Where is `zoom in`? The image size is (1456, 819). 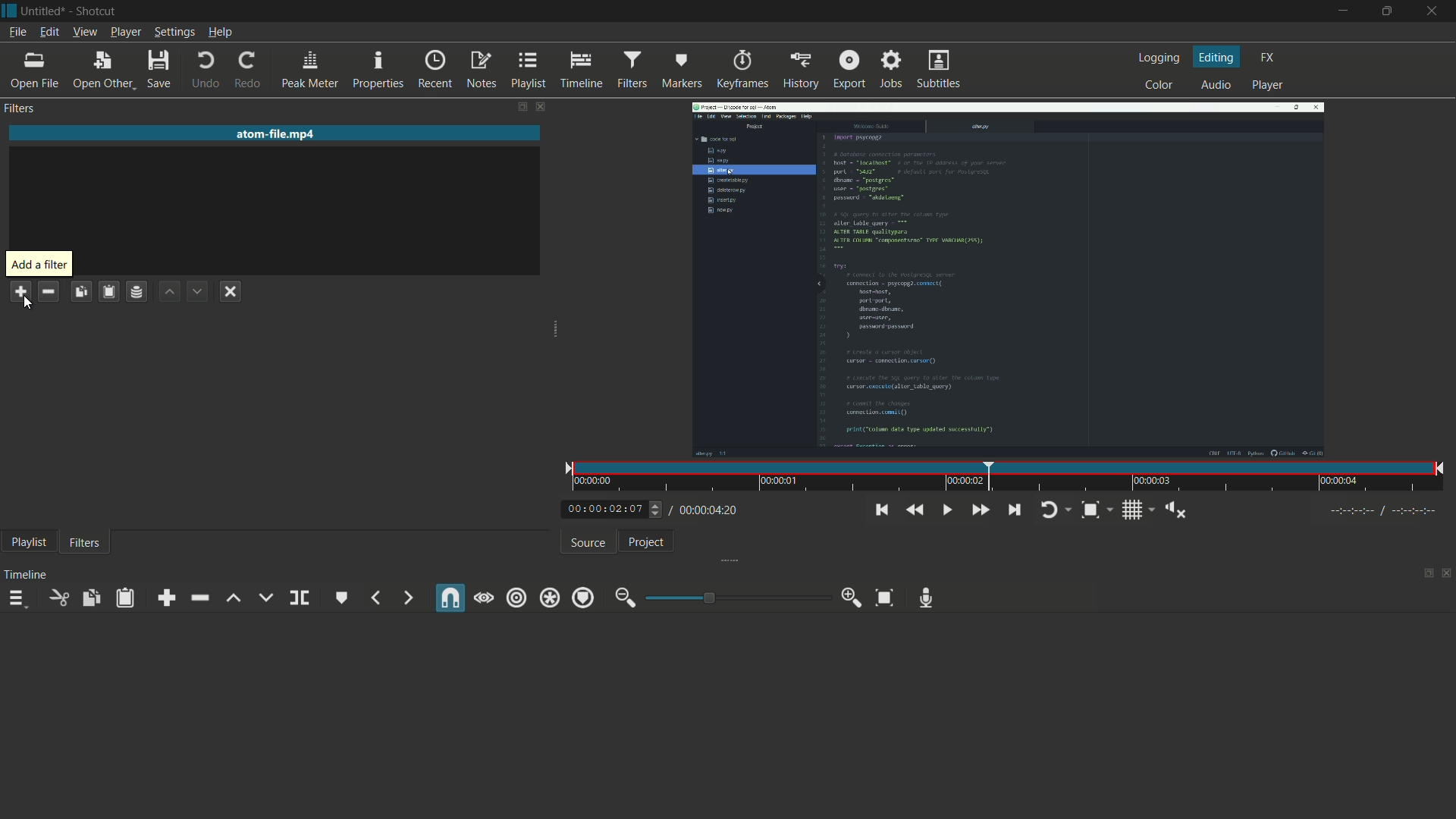 zoom in is located at coordinates (852, 598).